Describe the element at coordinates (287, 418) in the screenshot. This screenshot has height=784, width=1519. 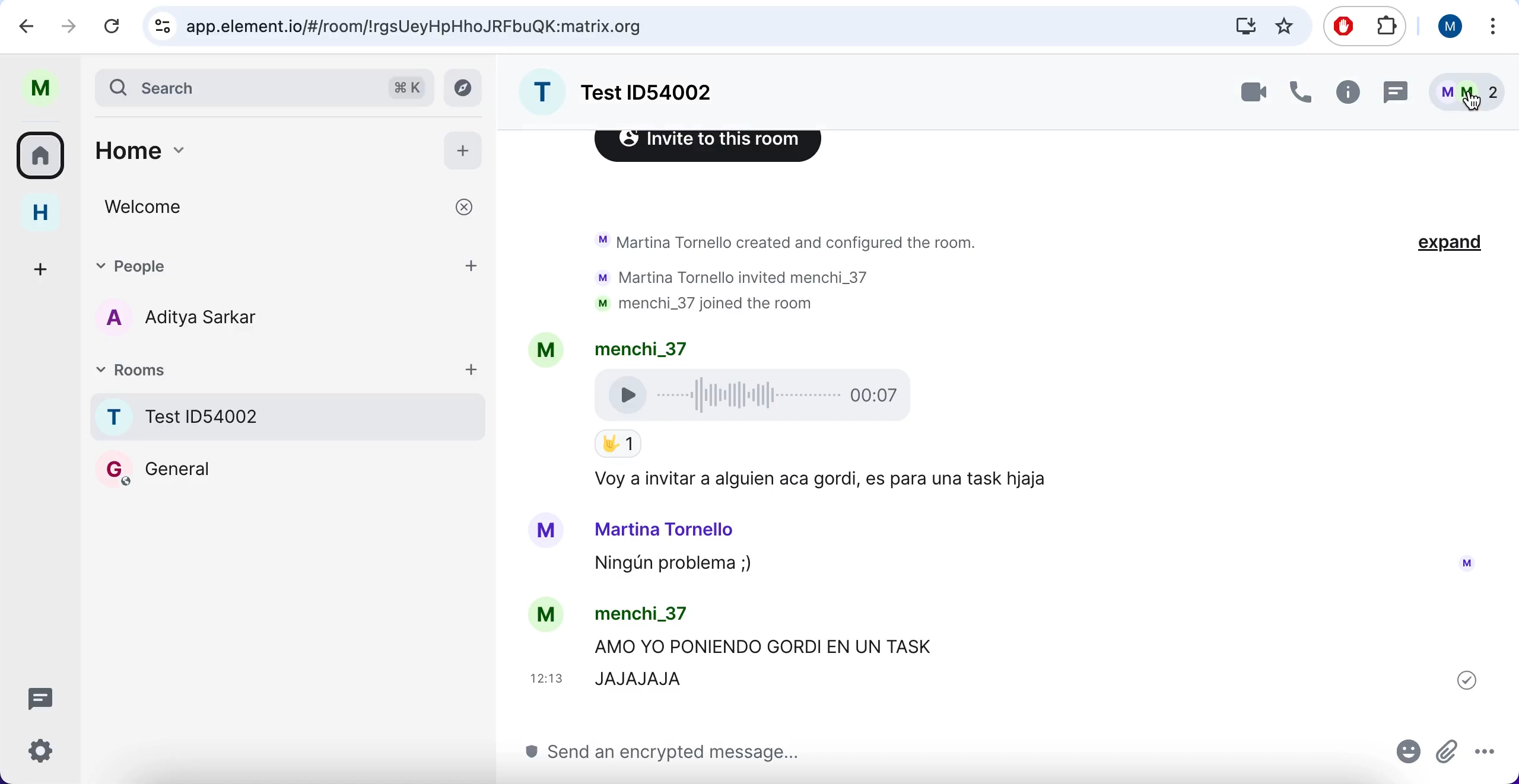
I see `rooms` at that location.